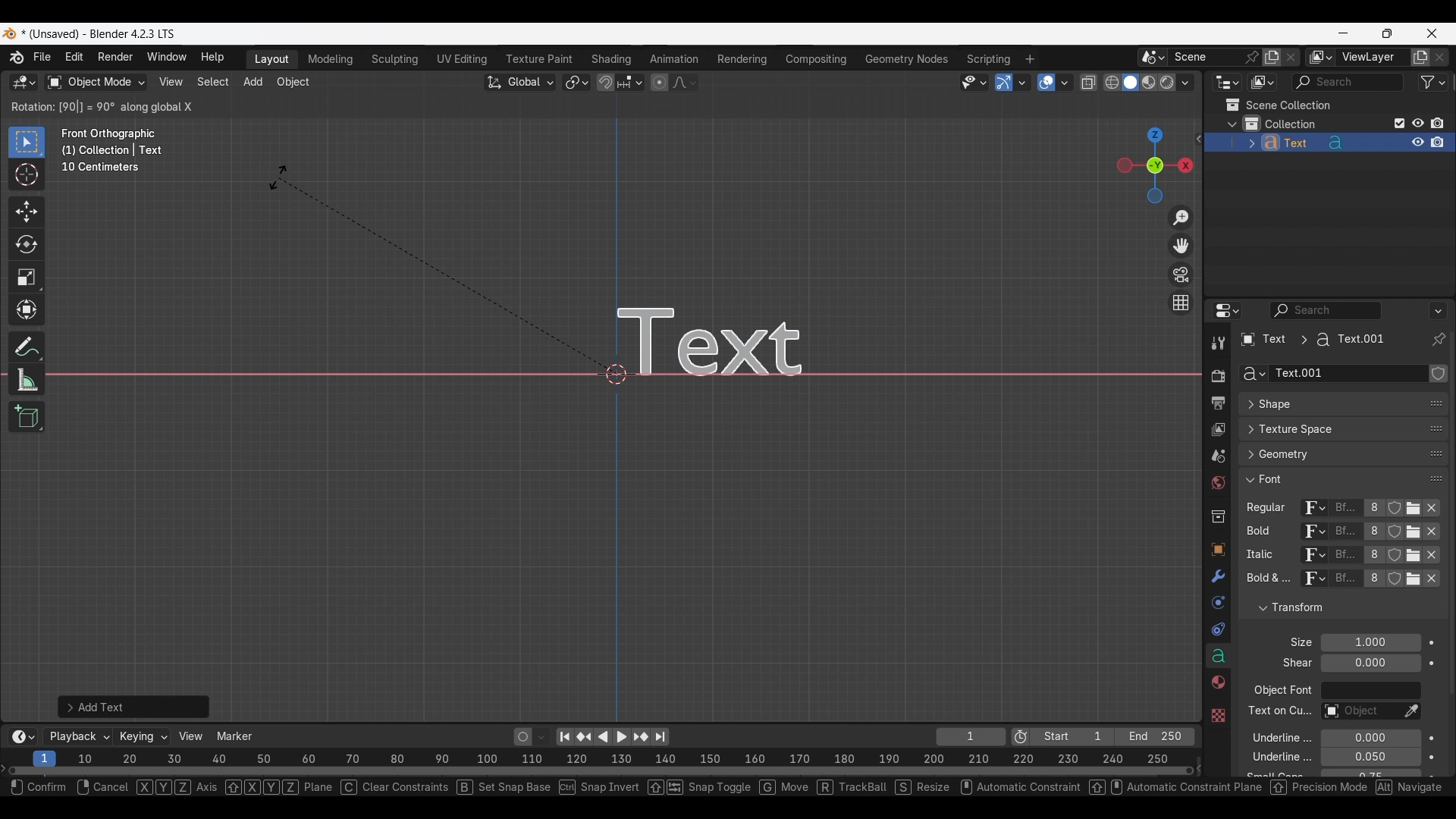 This screenshot has width=1456, height=819. I want to click on Transform pivot point, so click(576, 83).